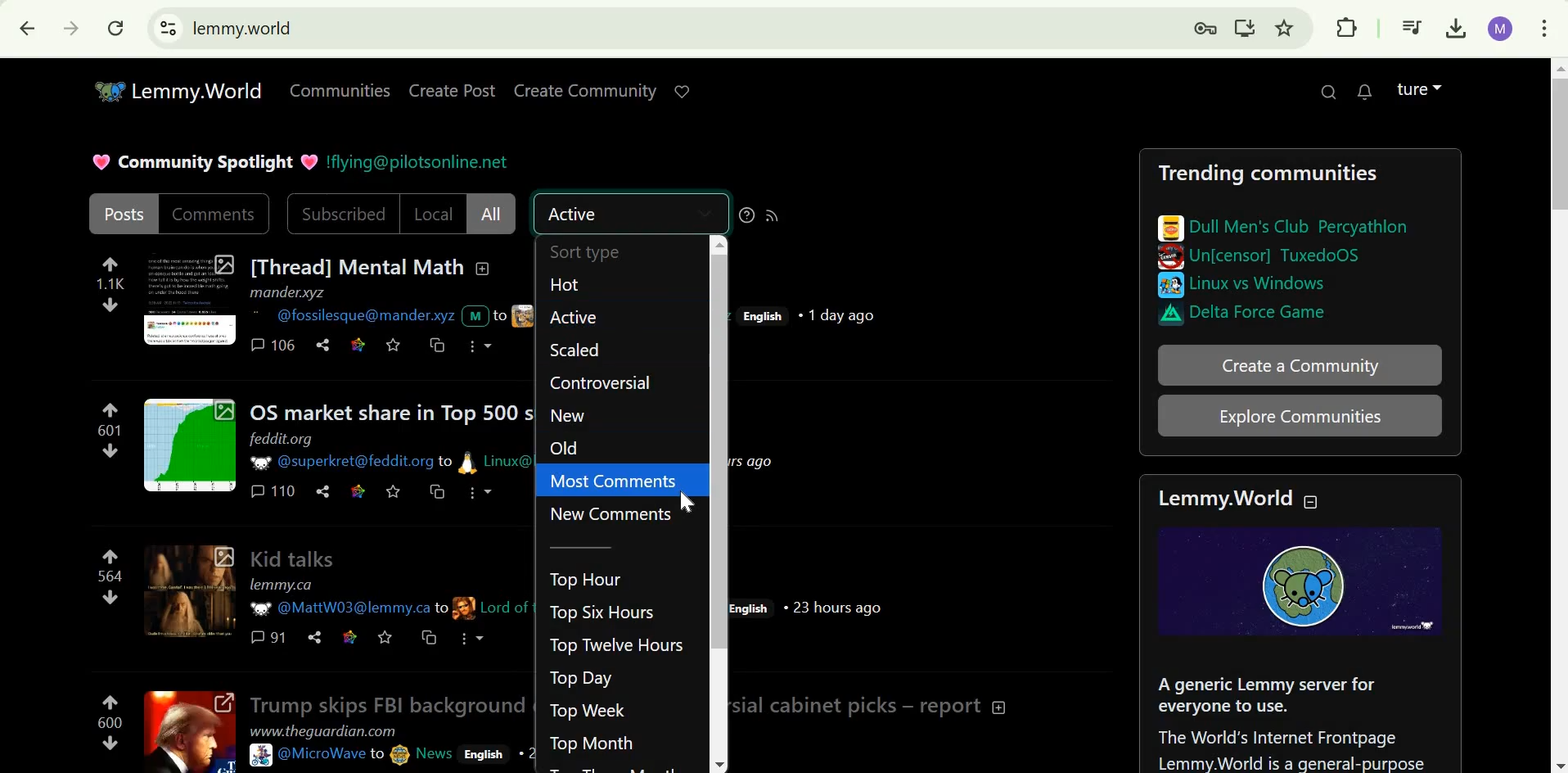  What do you see at coordinates (97, 160) in the screenshot?
I see `heart` at bounding box center [97, 160].